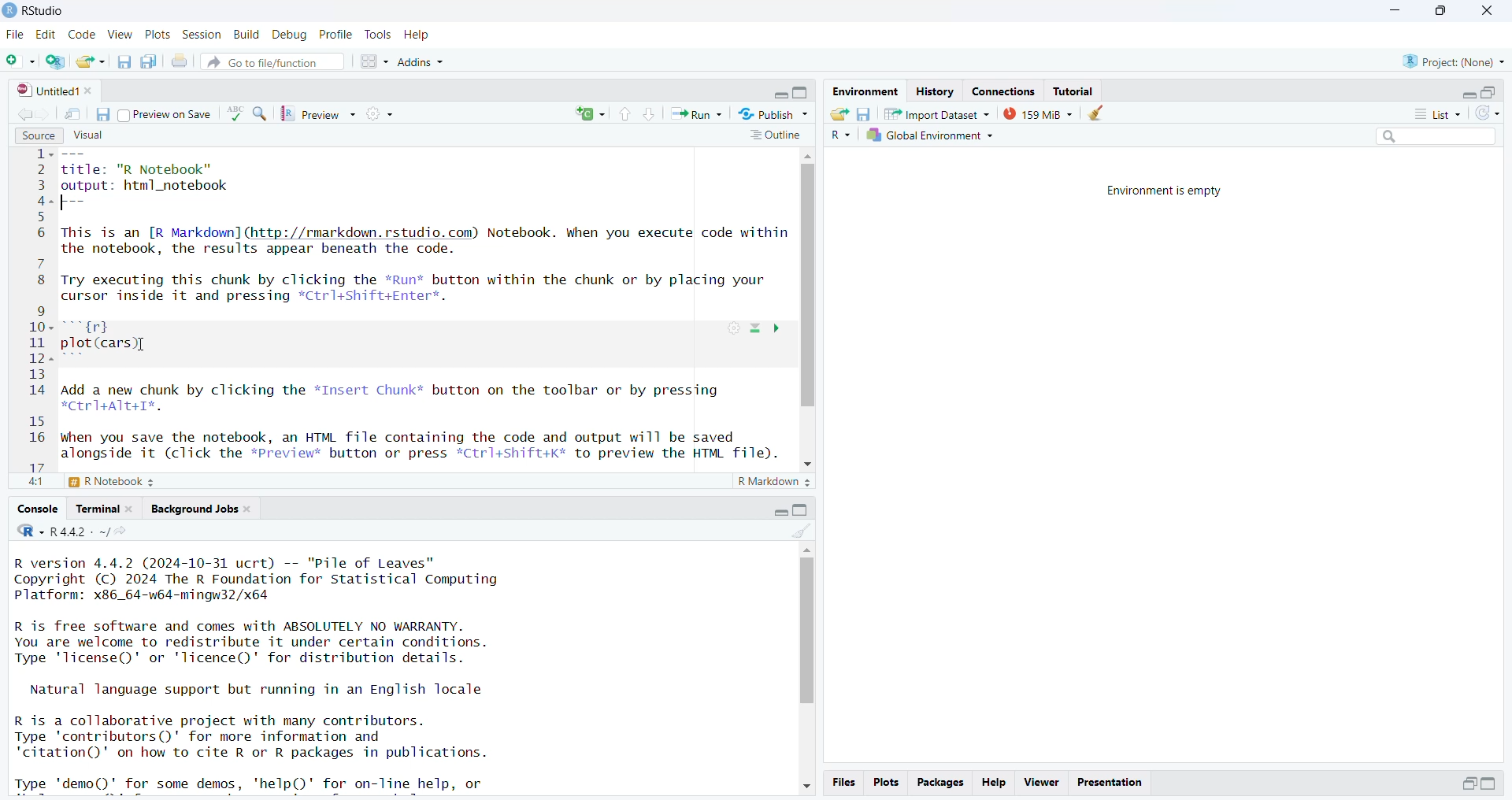 The image size is (1512, 800). I want to click on files, so click(843, 783).